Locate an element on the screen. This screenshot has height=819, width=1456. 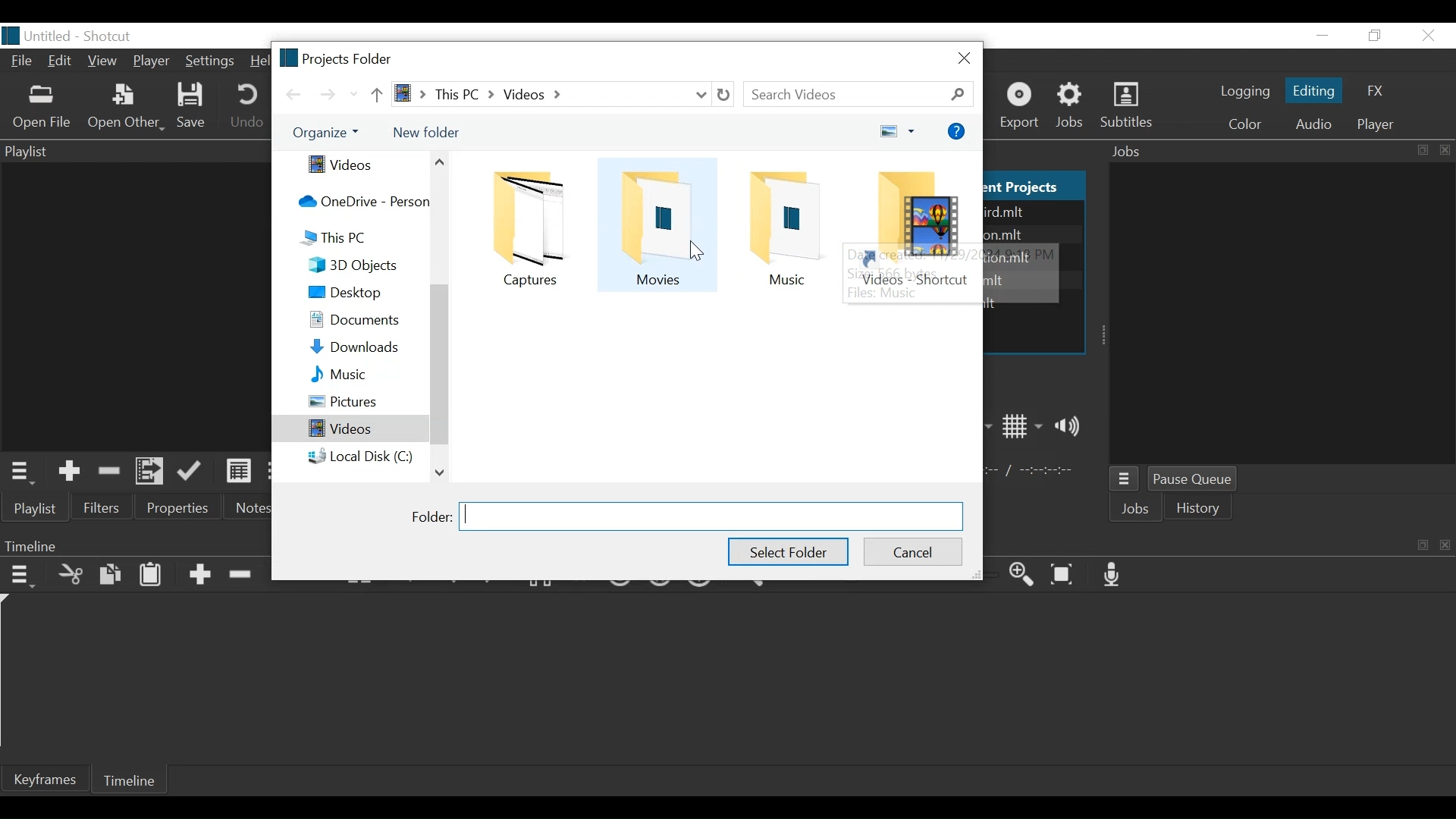
Desktop is located at coordinates (363, 292).